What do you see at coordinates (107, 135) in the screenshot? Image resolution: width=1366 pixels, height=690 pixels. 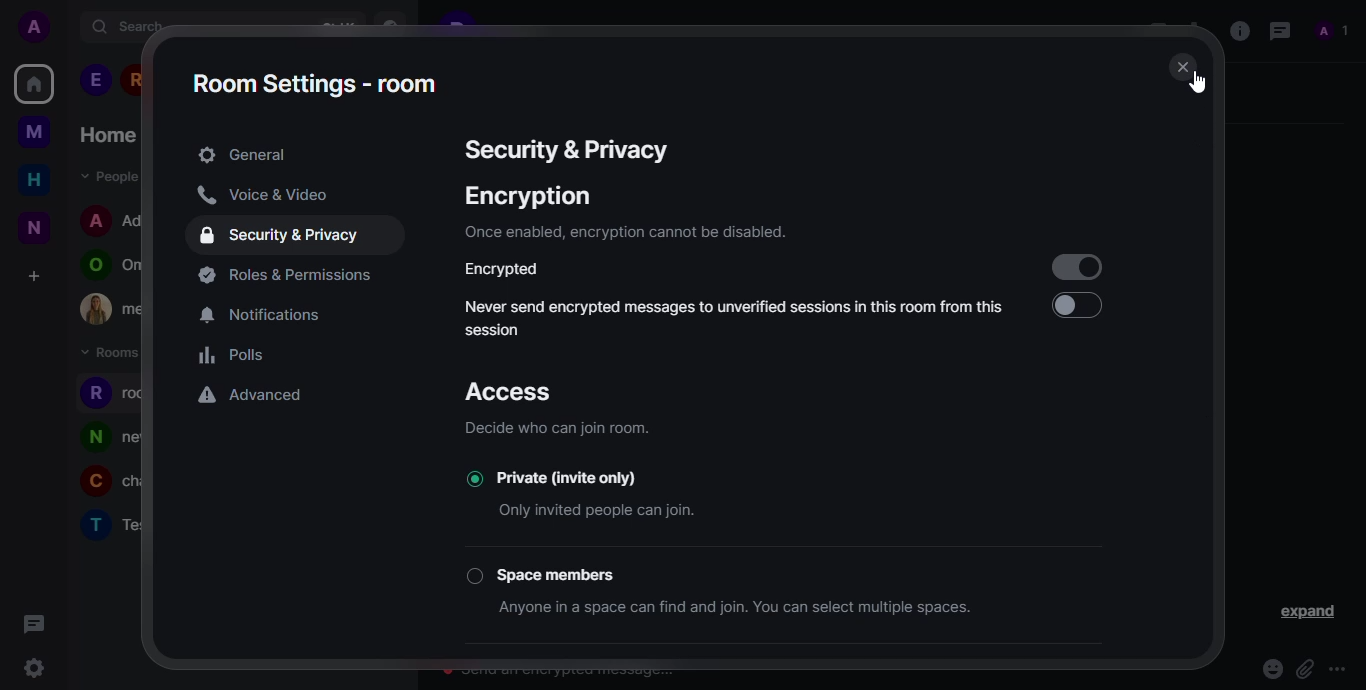 I see `home` at bounding box center [107, 135].